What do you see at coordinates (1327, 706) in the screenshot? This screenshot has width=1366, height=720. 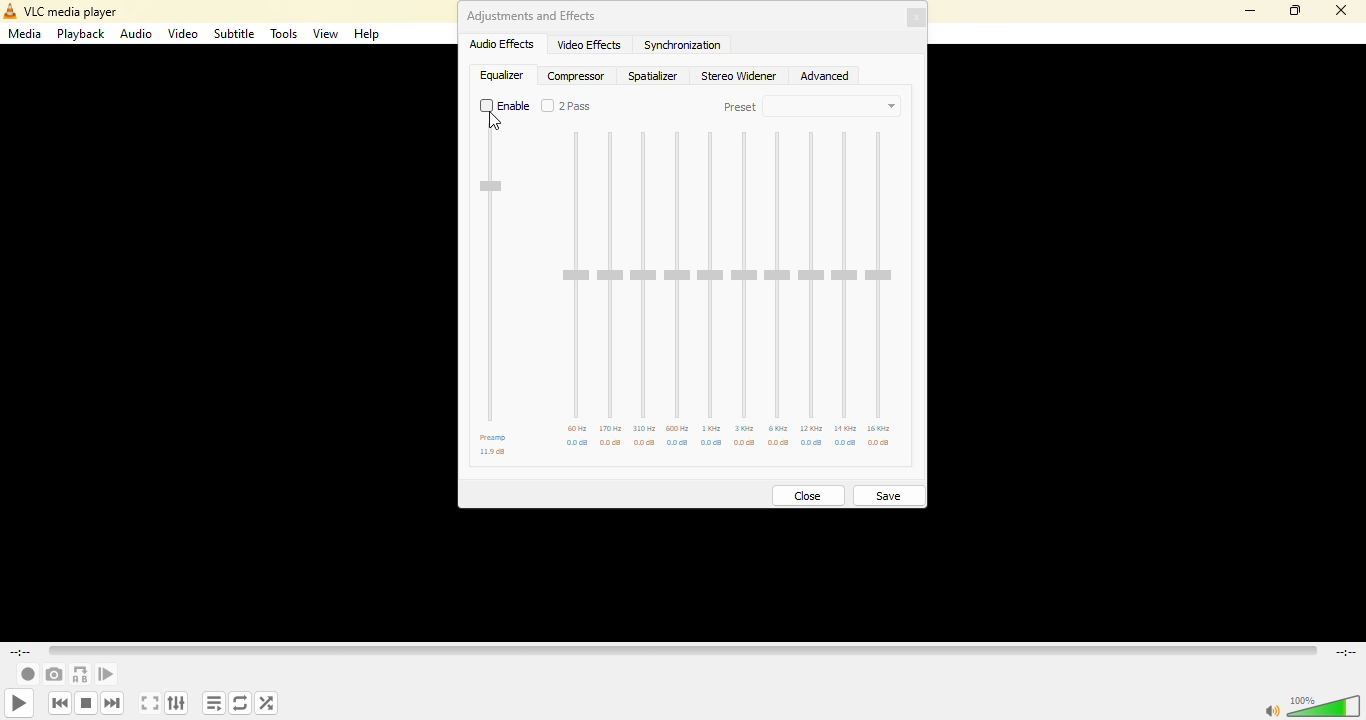 I see `volume adjust 100%` at bounding box center [1327, 706].